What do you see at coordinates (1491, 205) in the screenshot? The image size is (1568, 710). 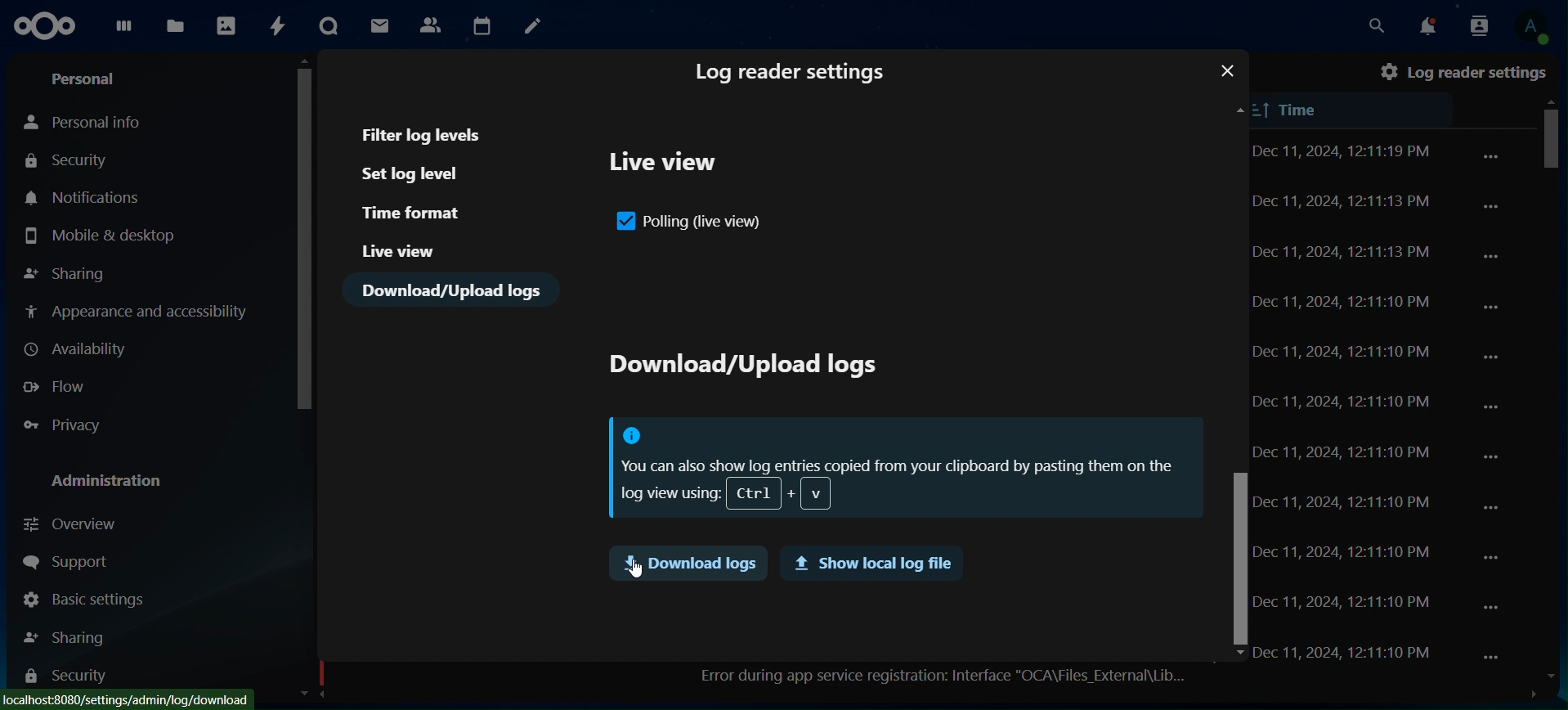 I see `...` at bounding box center [1491, 205].